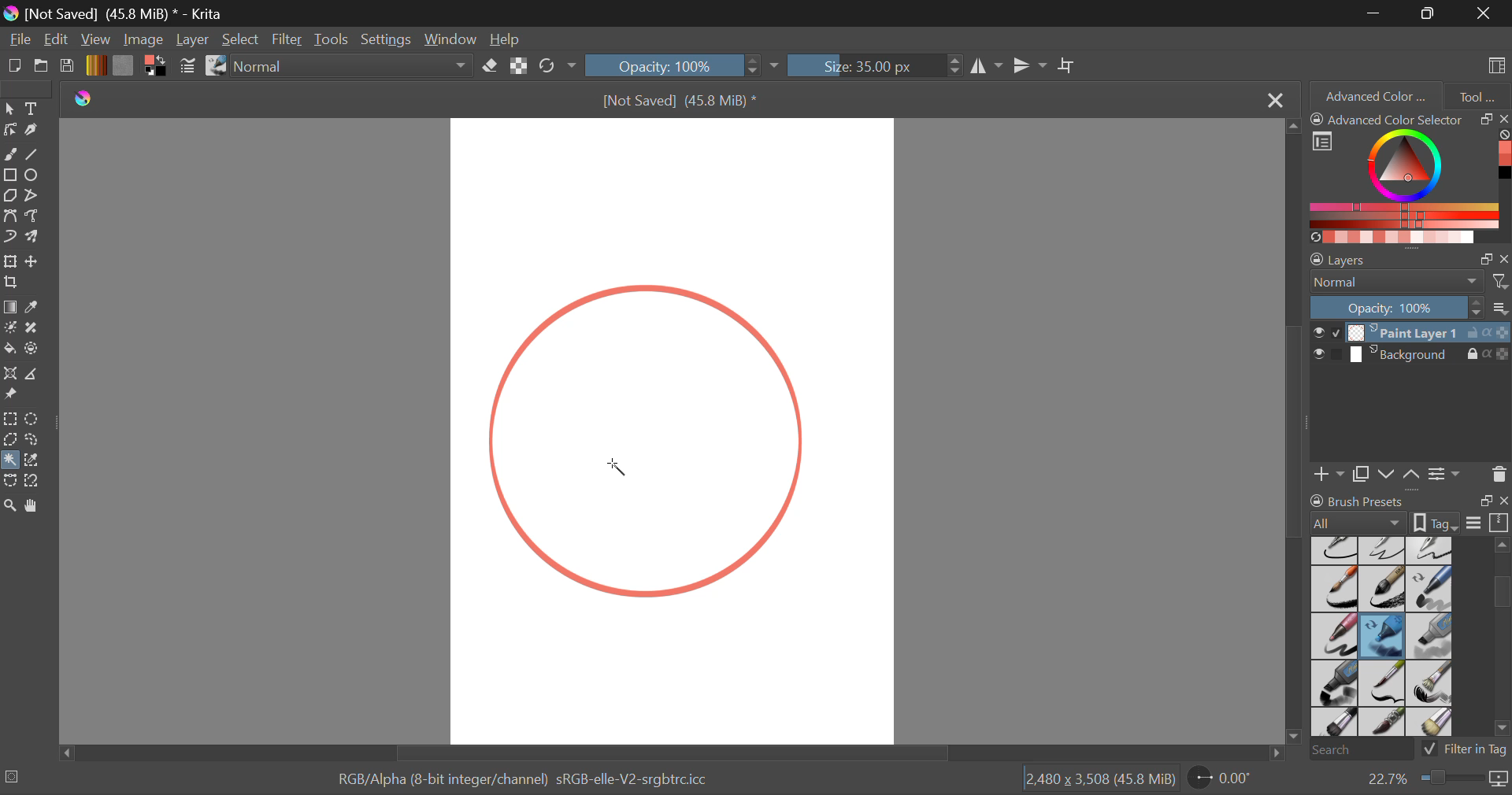 This screenshot has width=1512, height=795. What do you see at coordinates (10, 438) in the screenshot?
I see `Polygonal Selection Tool` at bounding box center [10, 438].